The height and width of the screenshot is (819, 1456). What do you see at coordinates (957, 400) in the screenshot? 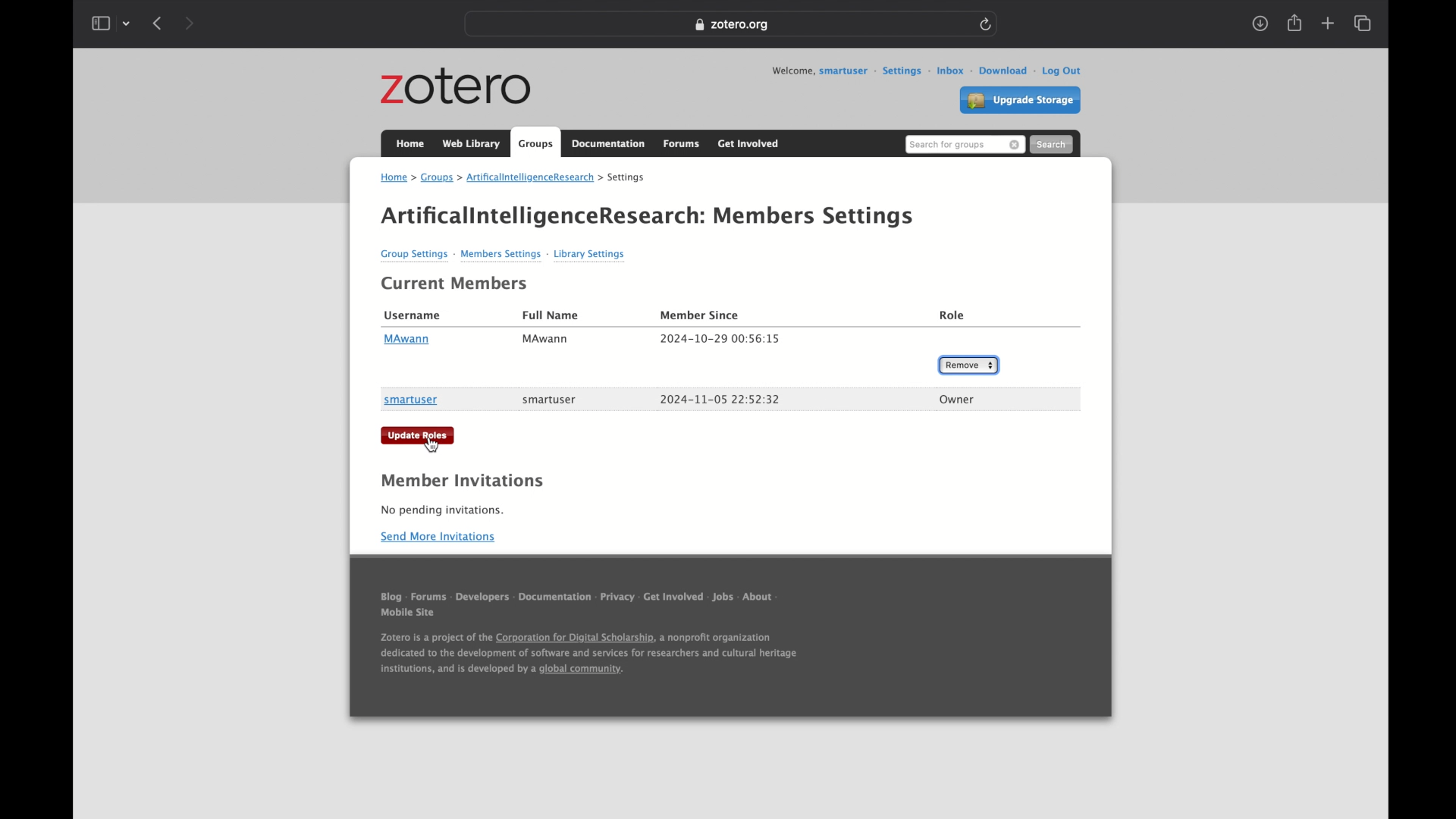
I see `owner` at bounding box center [957, 400].